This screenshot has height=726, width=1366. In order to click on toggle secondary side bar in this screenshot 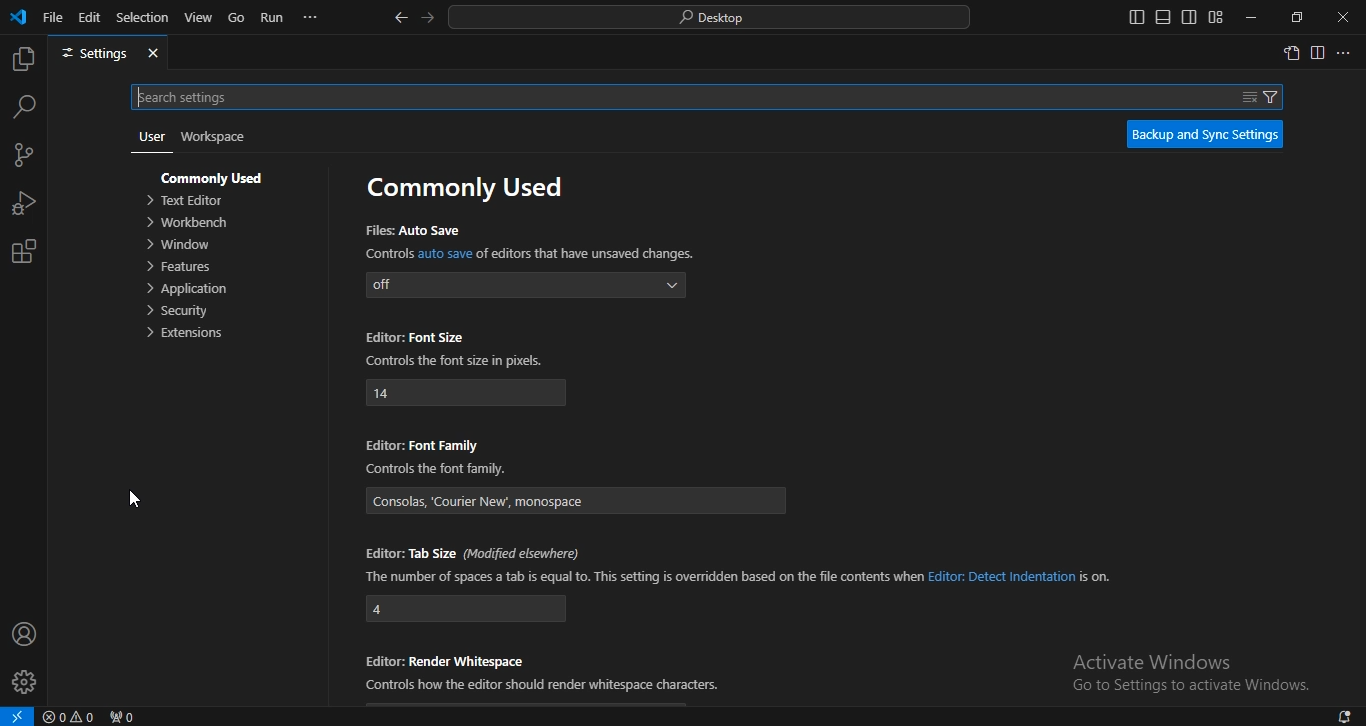, I will do `click(1189, 17)`.